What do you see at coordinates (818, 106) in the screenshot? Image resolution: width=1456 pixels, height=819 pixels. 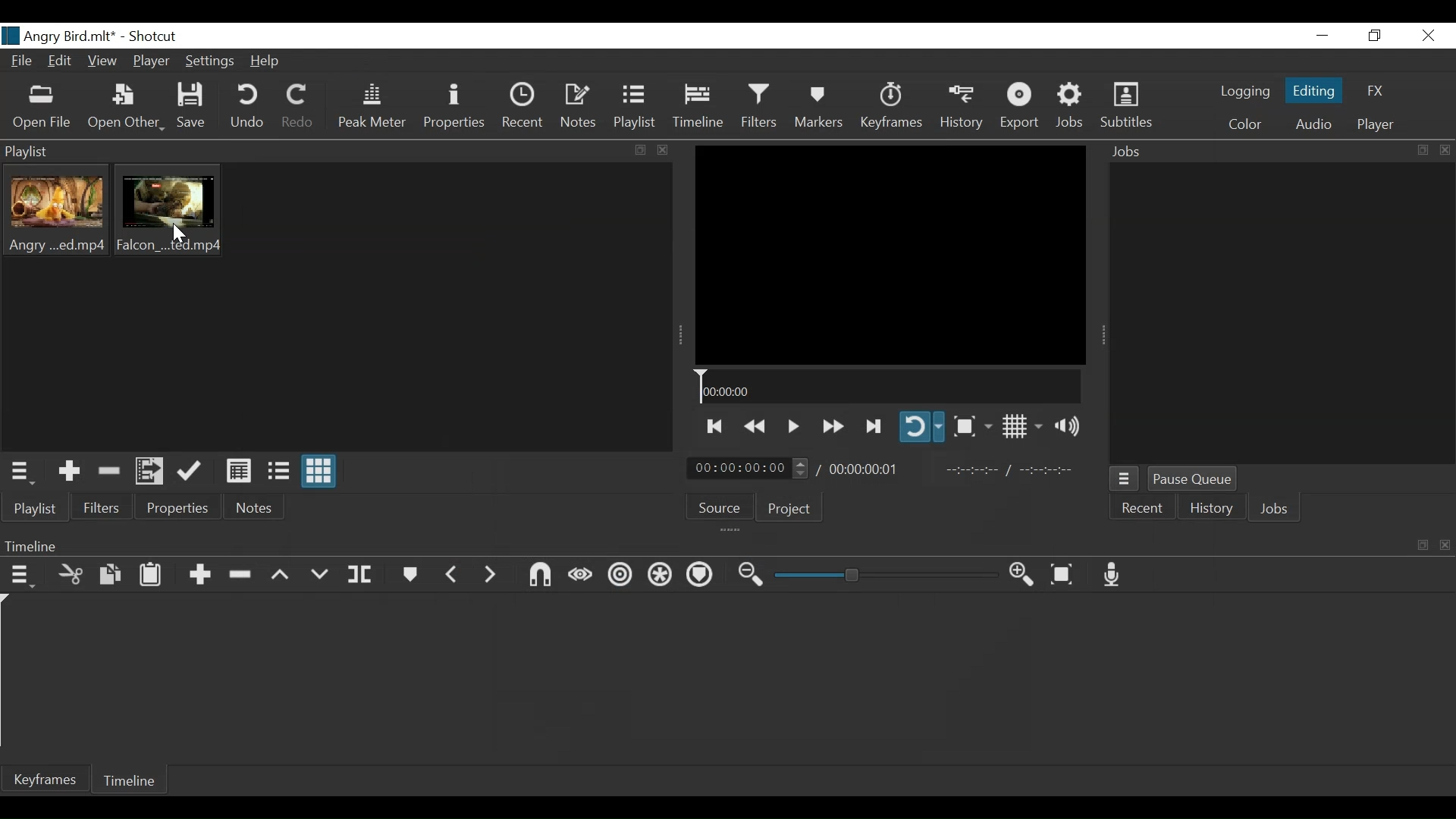 I see `Markers` at bounding box center [818, 106].